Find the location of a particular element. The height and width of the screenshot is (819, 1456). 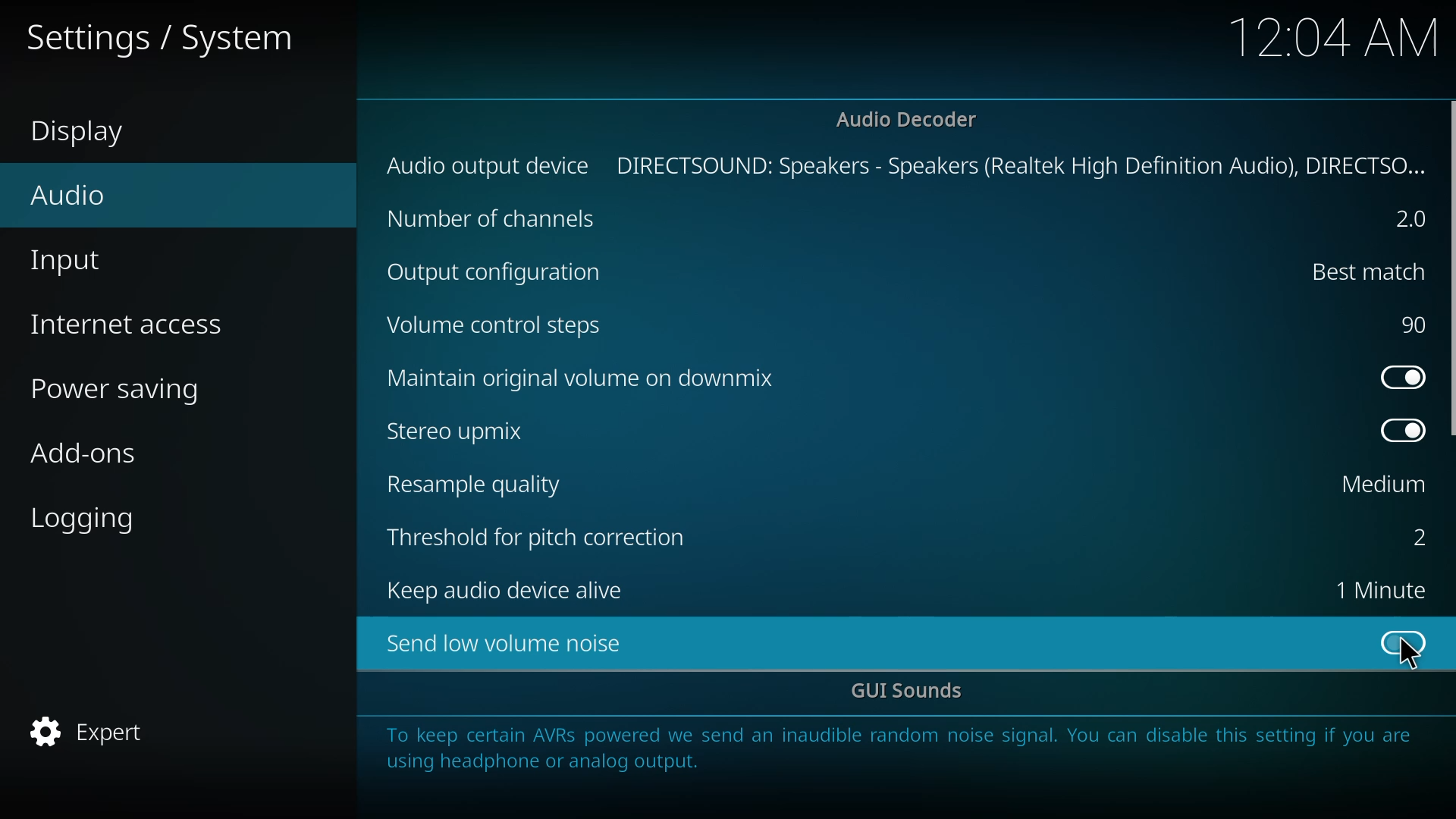

maintain original volume is located at coordinates (594, 380).